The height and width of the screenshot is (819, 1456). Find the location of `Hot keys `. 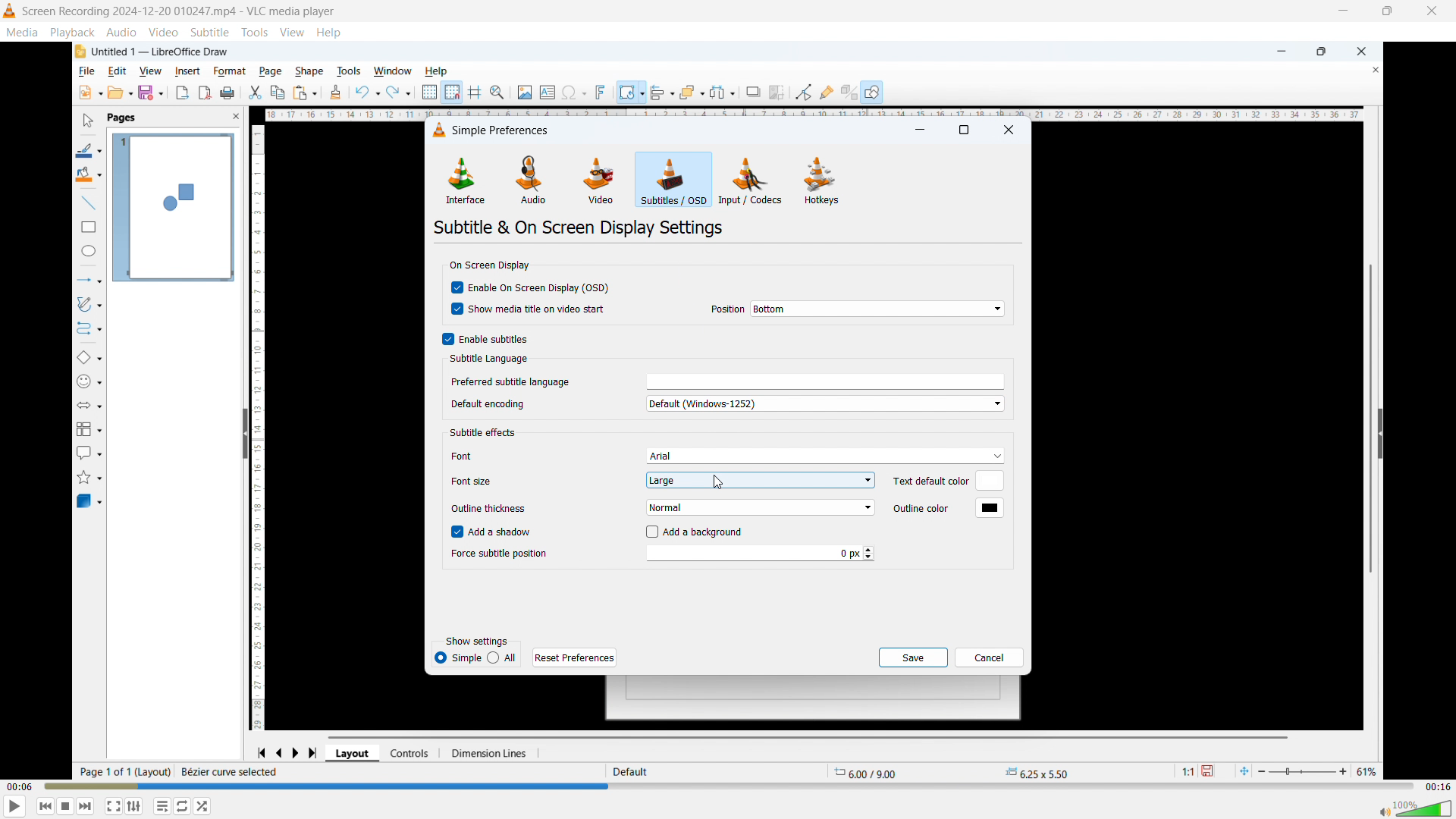

Hot keys  is located at coordinates (821, 180).